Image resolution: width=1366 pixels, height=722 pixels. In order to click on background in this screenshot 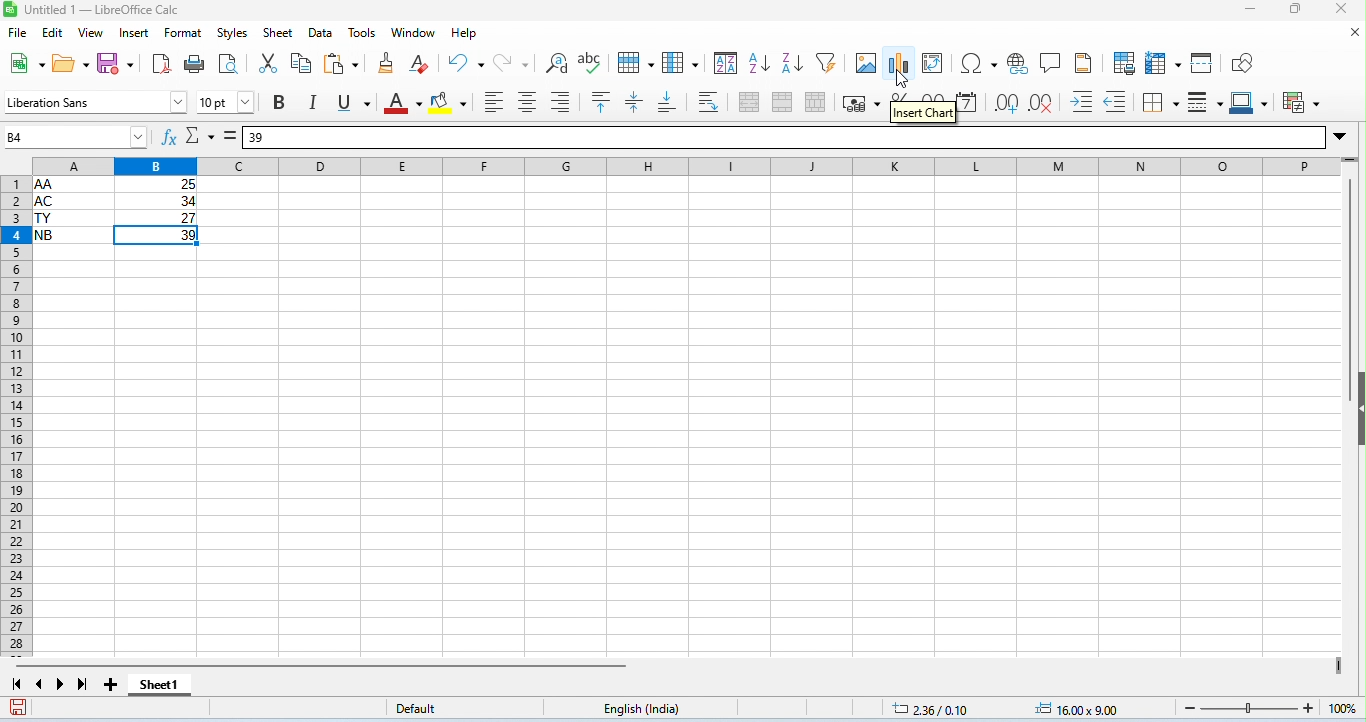, I will do `click(447, 102)`.